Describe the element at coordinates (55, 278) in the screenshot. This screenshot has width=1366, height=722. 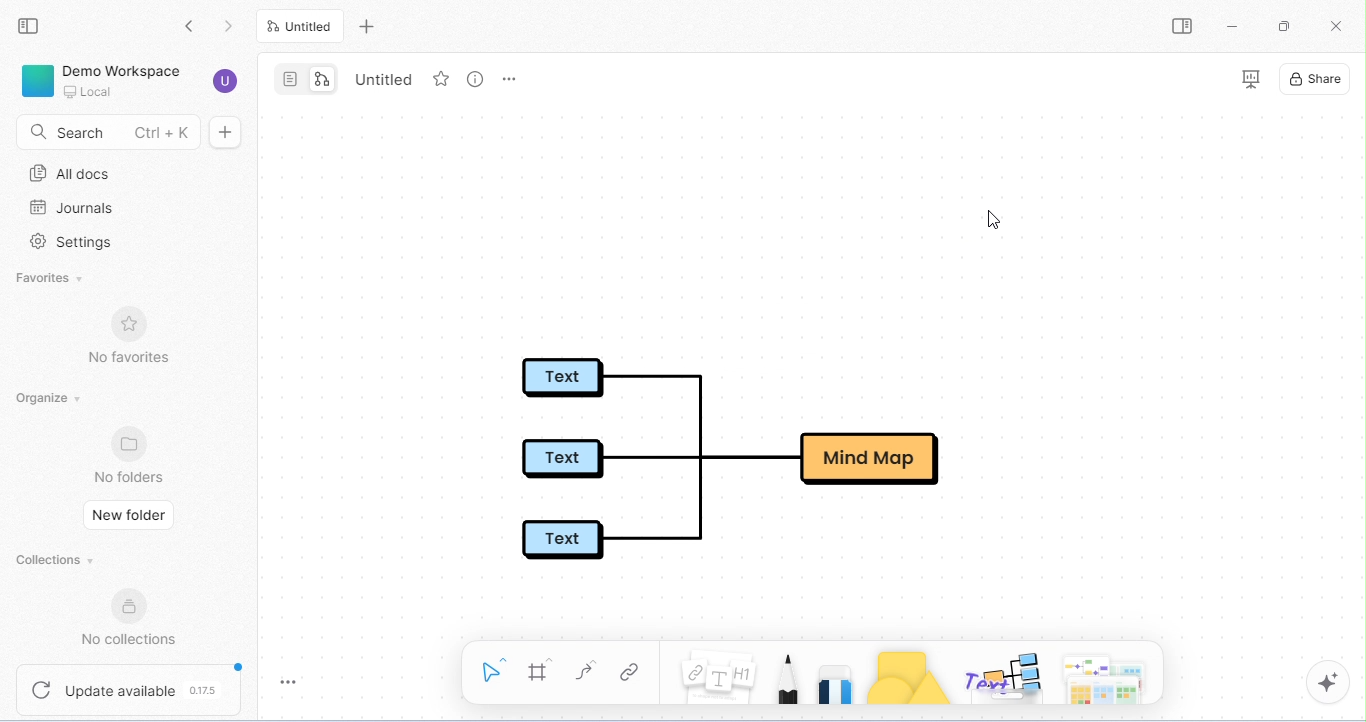
I see `favorites` at that location.